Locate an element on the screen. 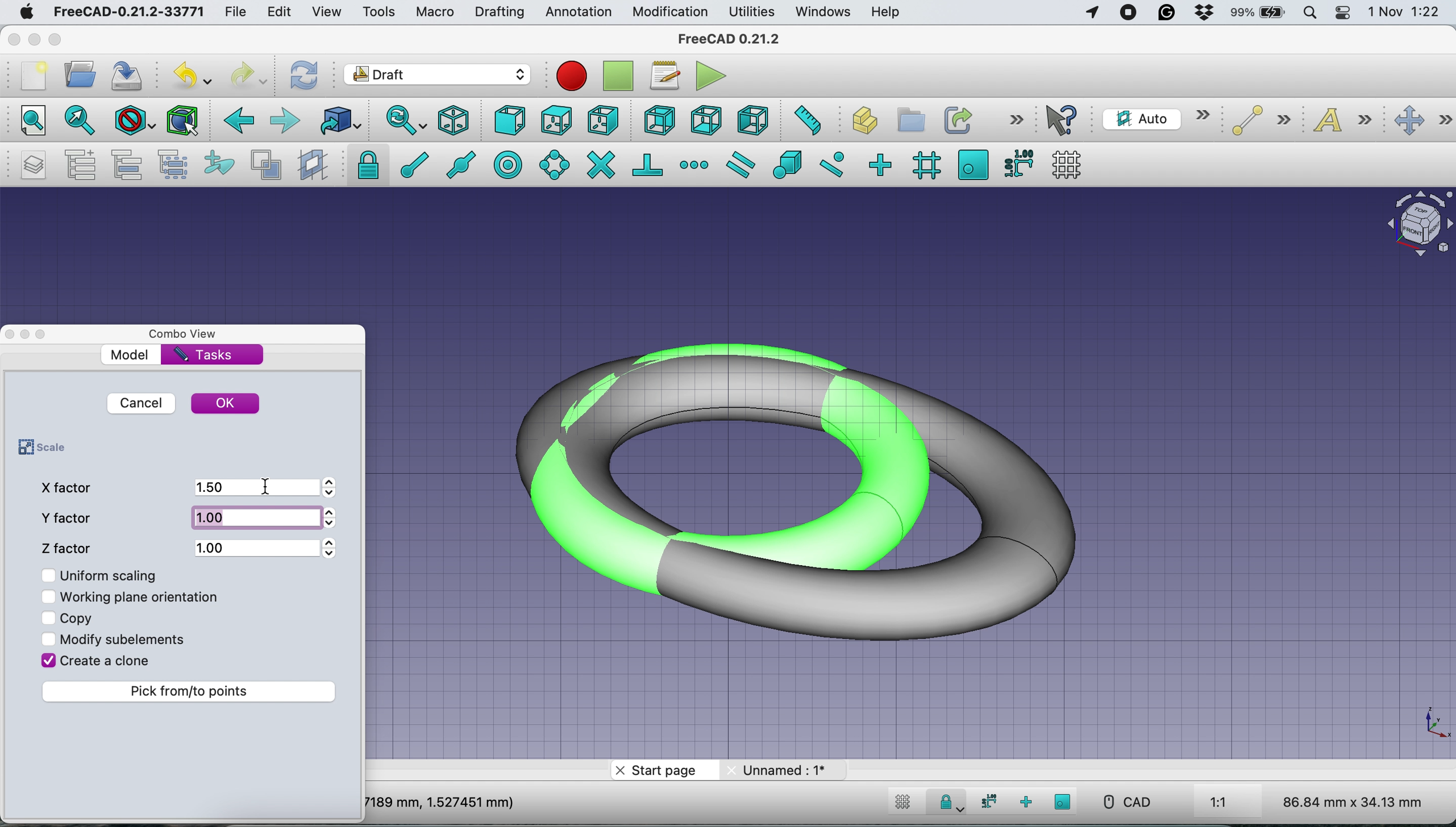 This screenshot has width=1456, height=827. tasks is located at coordinates (206, 356).